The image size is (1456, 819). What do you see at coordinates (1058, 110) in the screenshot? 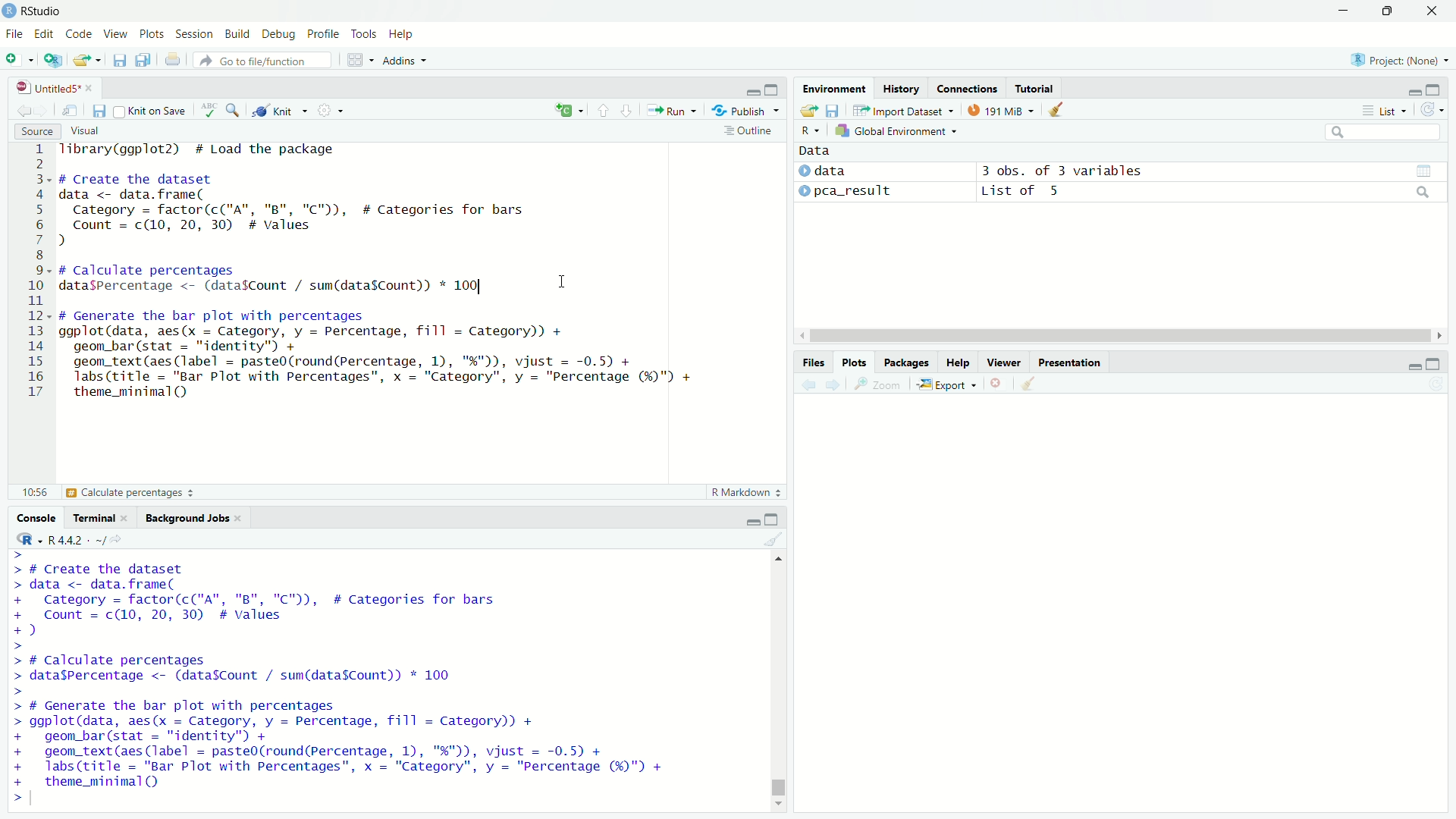
I see `clear all objects` at bounding box center [1058, 110].